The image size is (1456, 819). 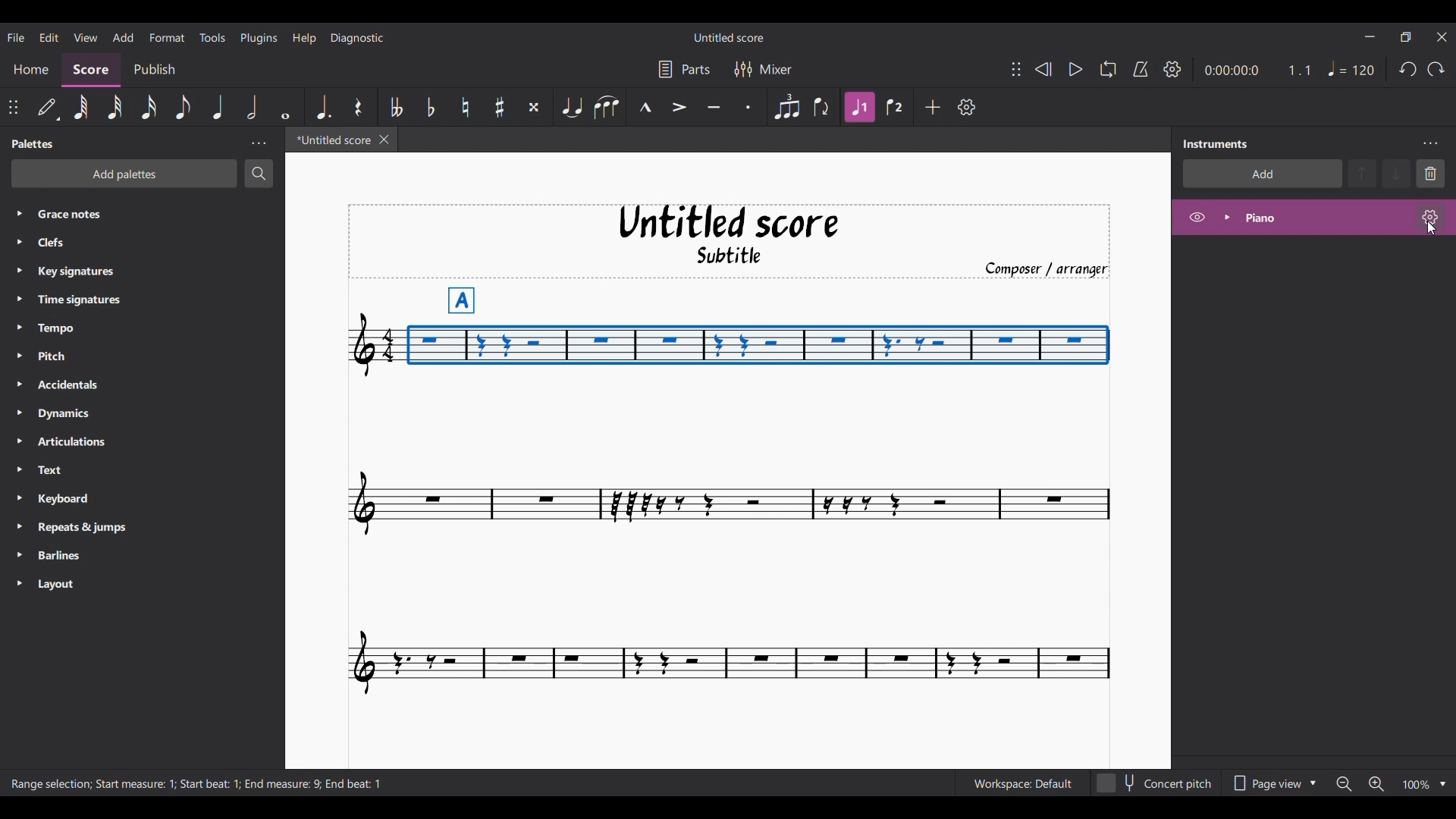 I want to click on Page view options, so click(x=1273, y=783).